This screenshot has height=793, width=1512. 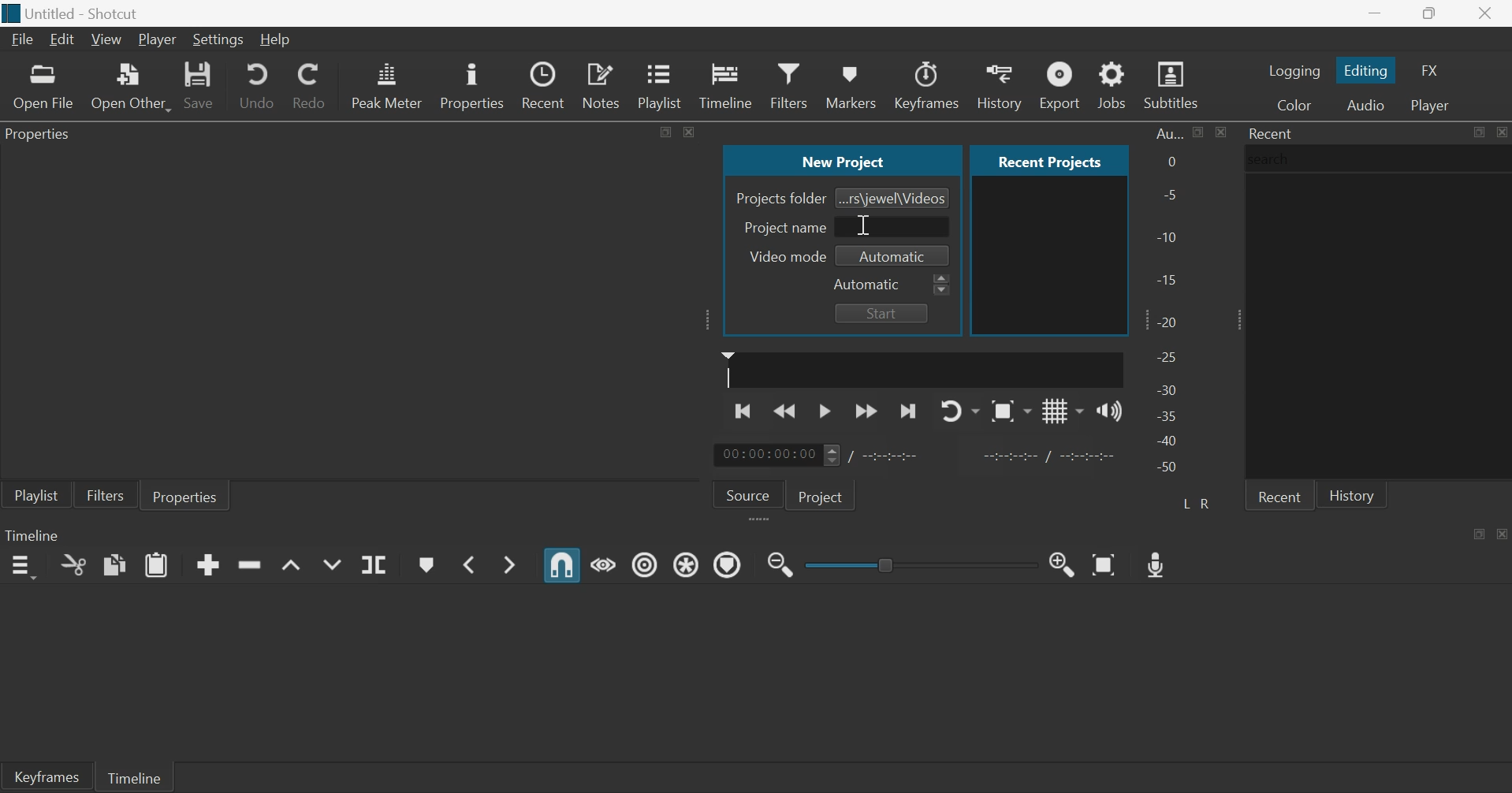 I want to click on Switch to the Logging layout, so click(x=1294, y=70).